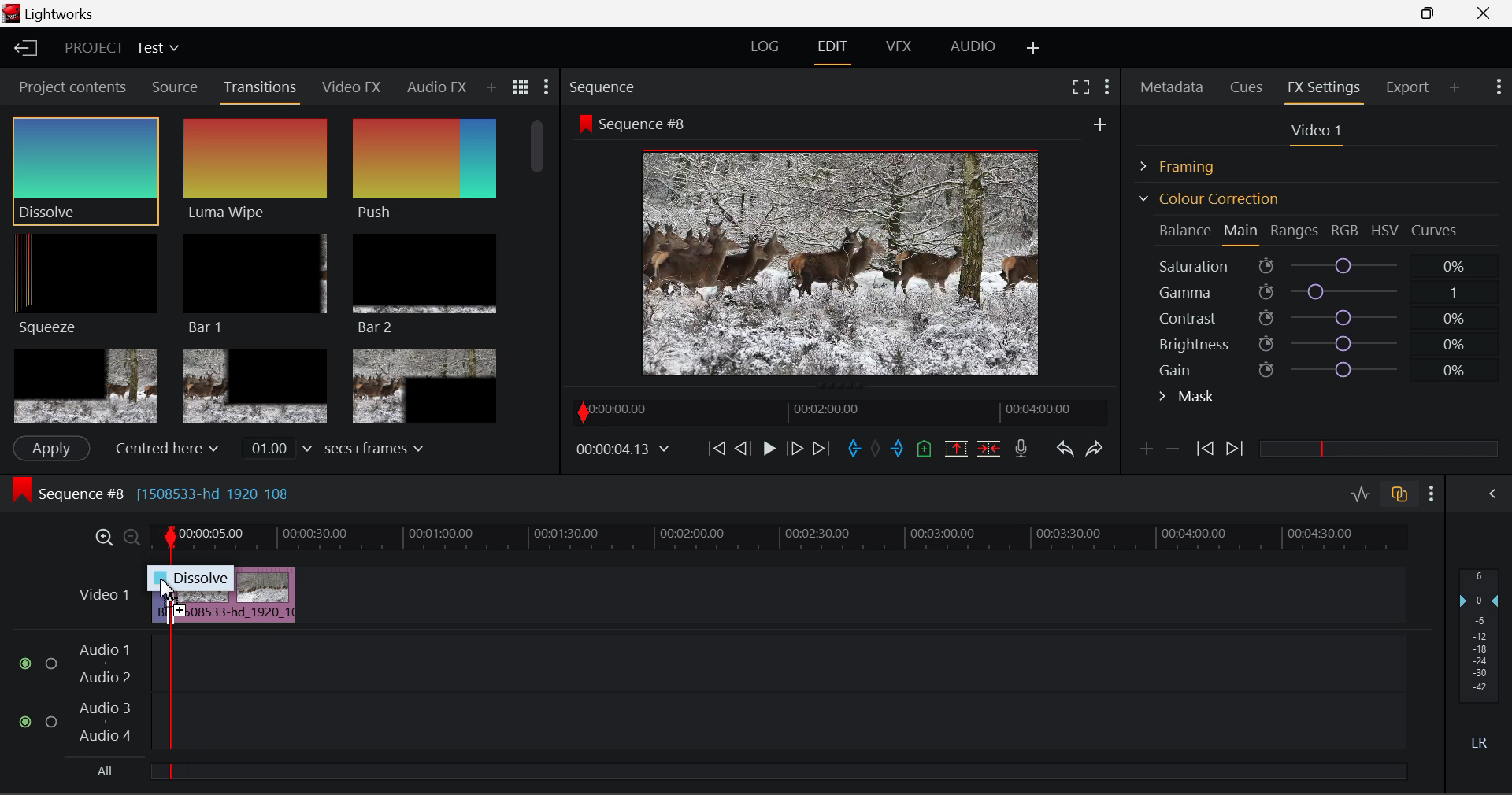 Image resolution: width=1512 pixels, height=795 pixels. Describe the element at coordinates (86, 386) in the screenshot. I see `Box 1` at that location.